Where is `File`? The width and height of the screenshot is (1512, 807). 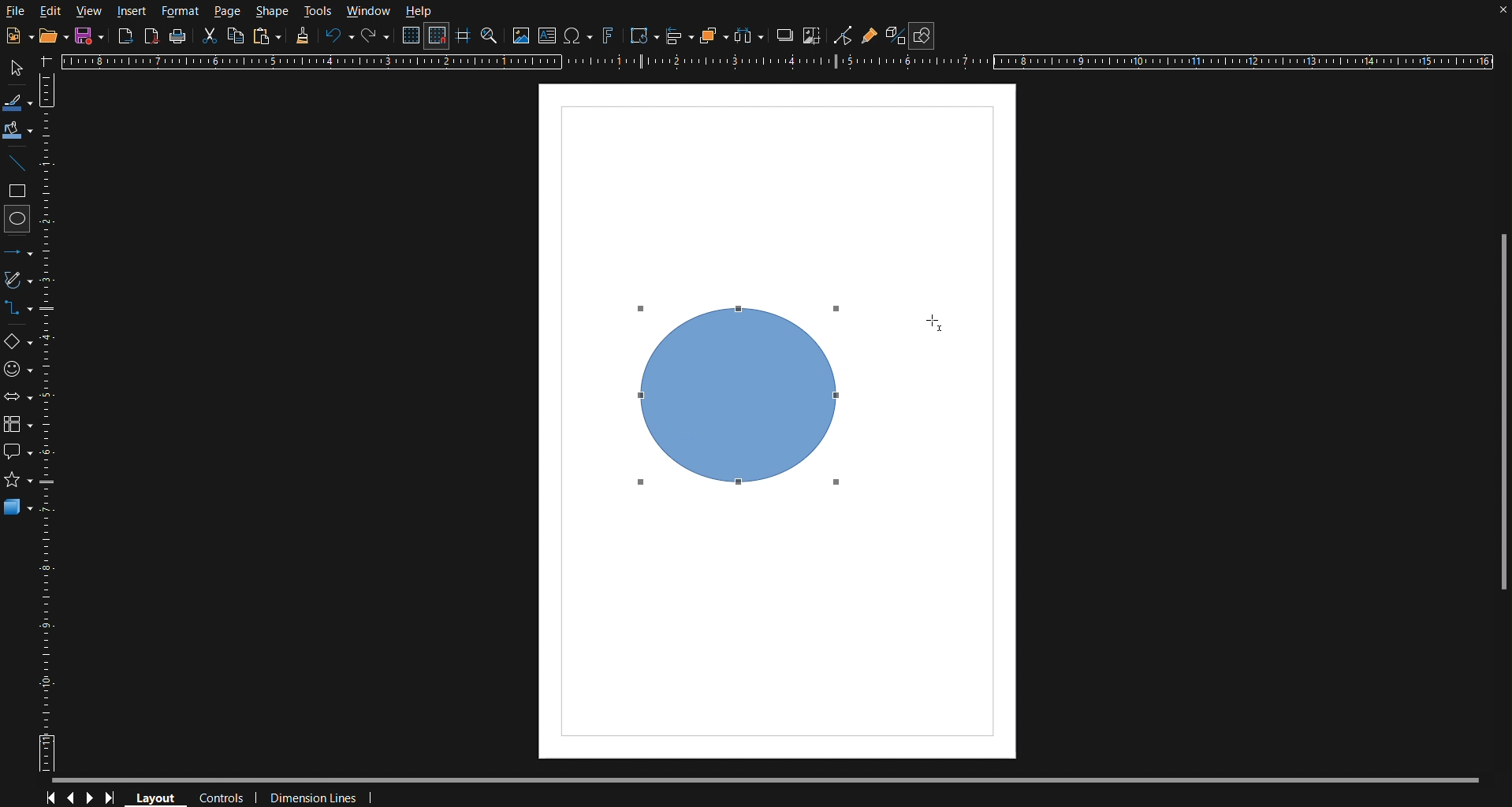
File is located at coordinates (17, 13).